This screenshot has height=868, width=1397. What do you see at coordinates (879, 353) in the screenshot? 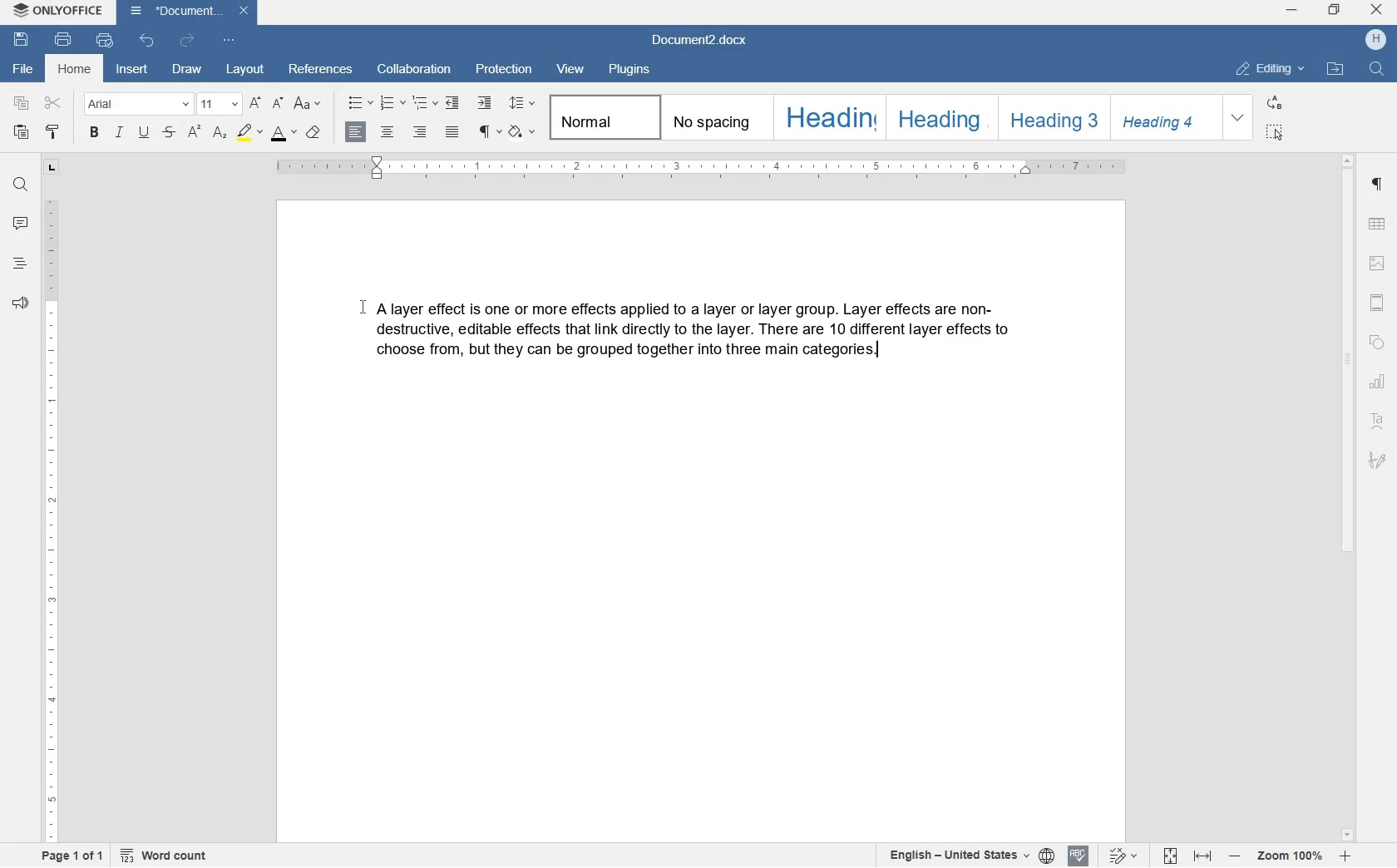
I see `EDITOR` at bounding box center [879, 353].